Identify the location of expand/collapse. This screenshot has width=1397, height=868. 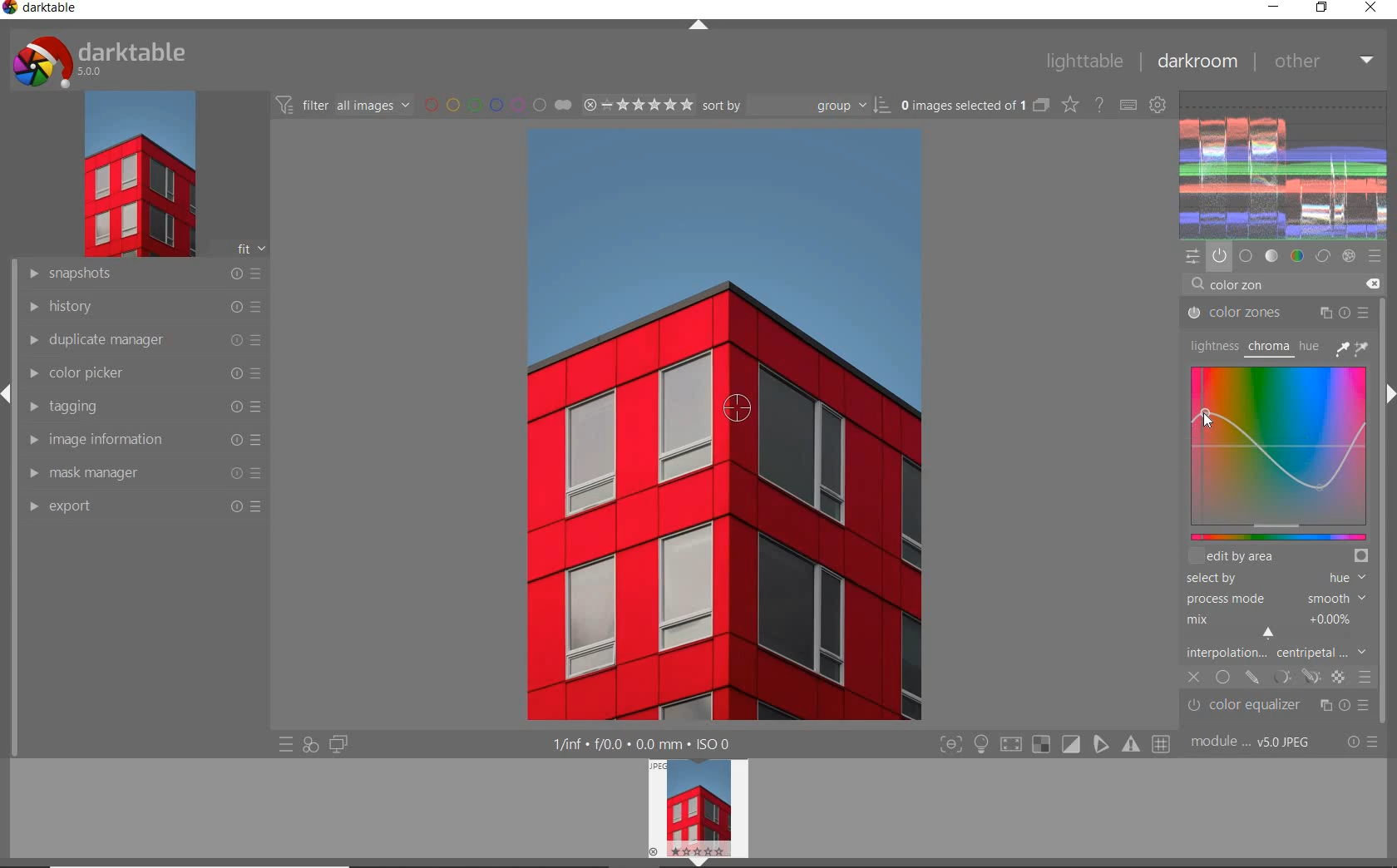
(699, 26).